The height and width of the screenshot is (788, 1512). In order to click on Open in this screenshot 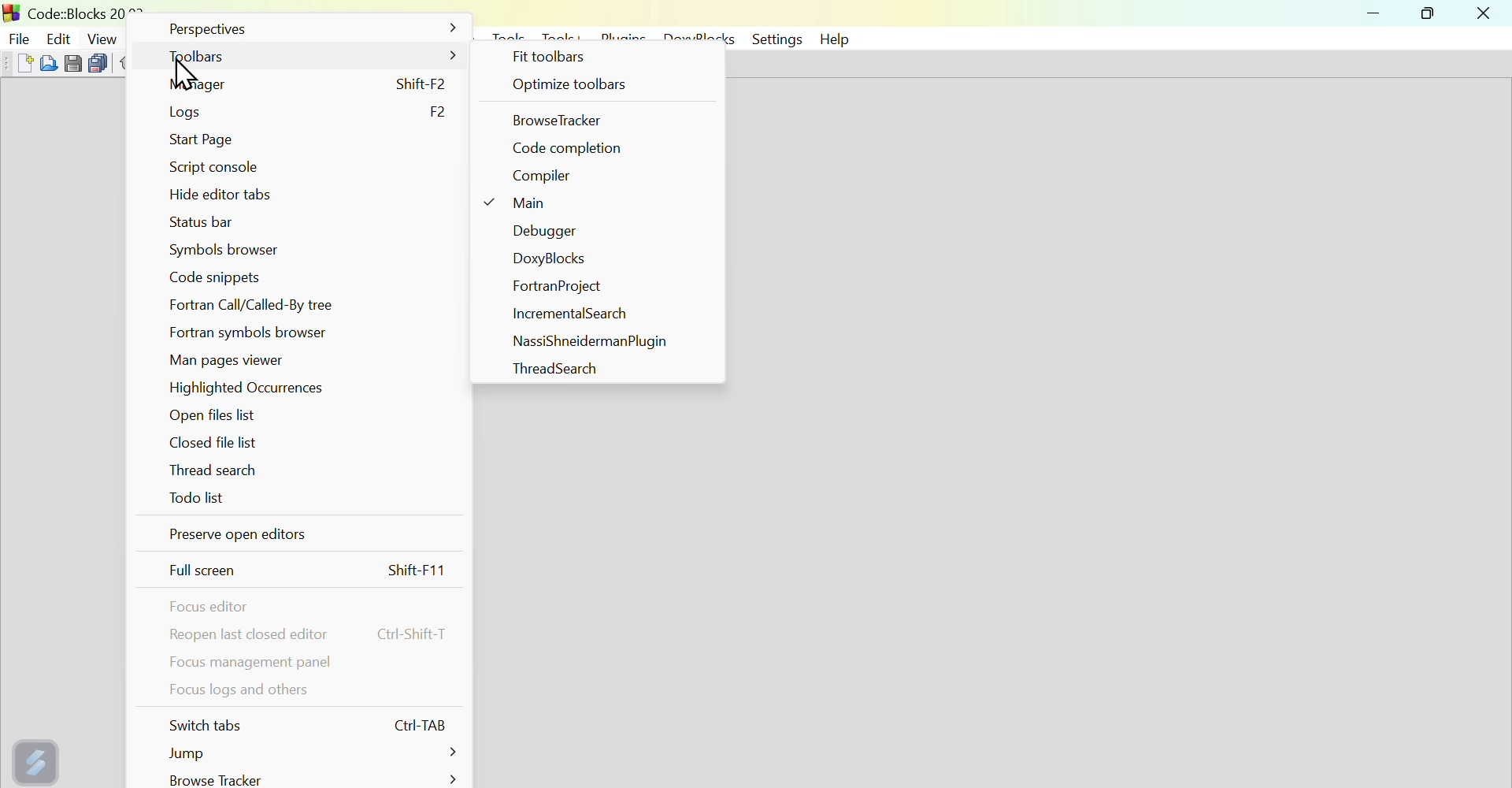, I will do `click(46, 62)`.